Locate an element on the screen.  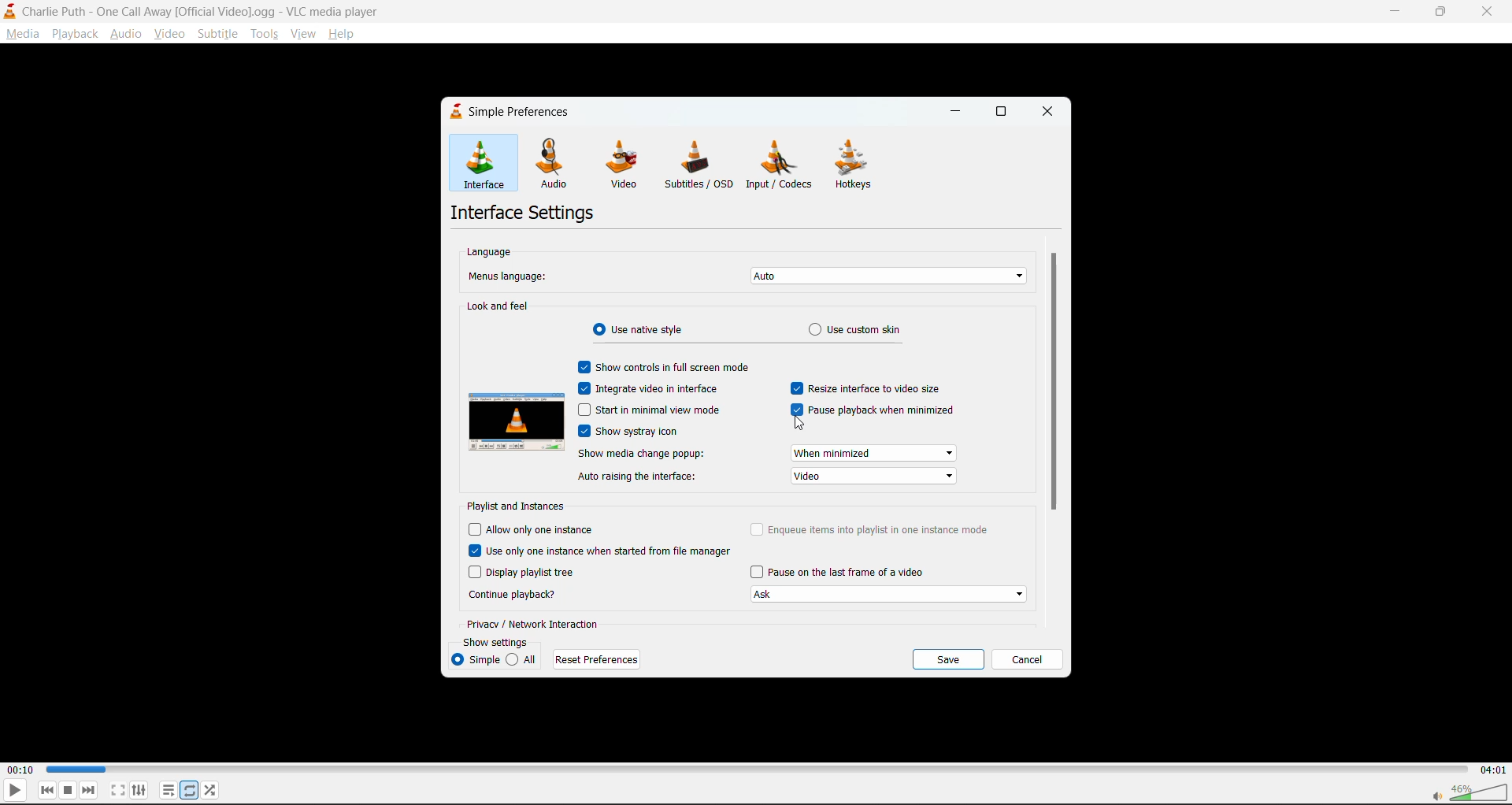
Checbox is located at coordinates (584, 432).